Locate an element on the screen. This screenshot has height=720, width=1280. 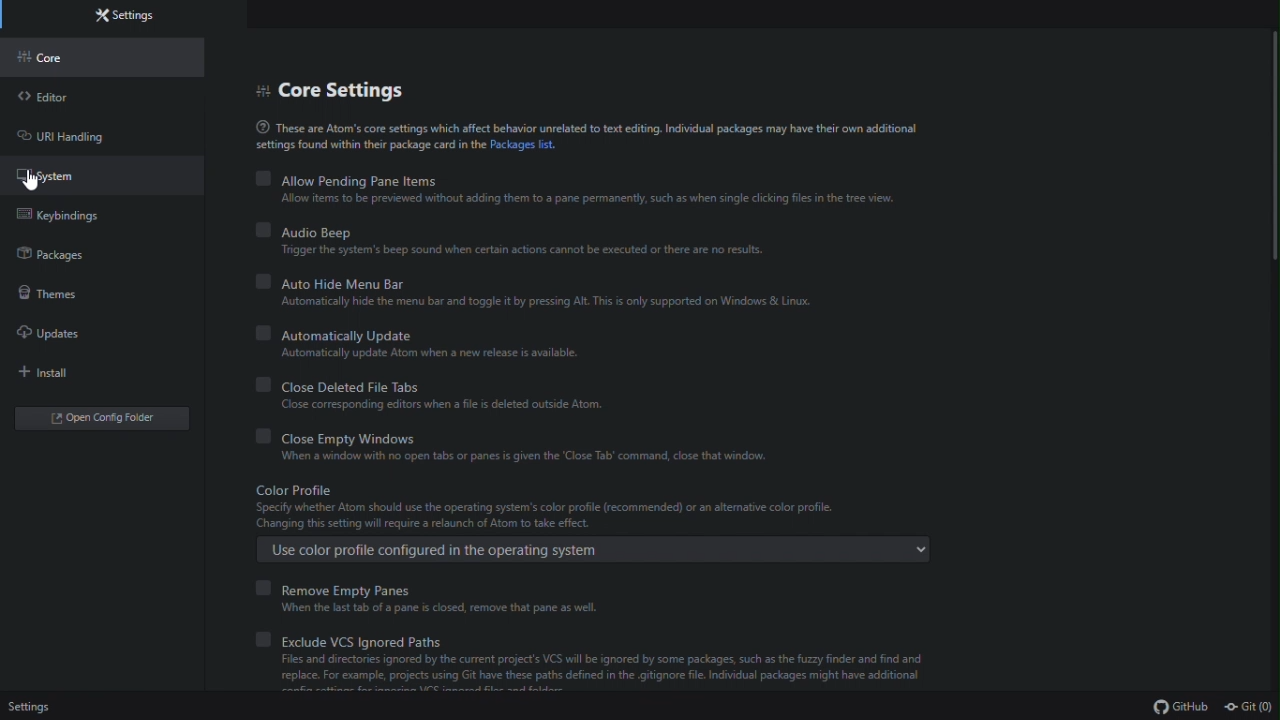
Key binding is located at coordinates (67, 219).